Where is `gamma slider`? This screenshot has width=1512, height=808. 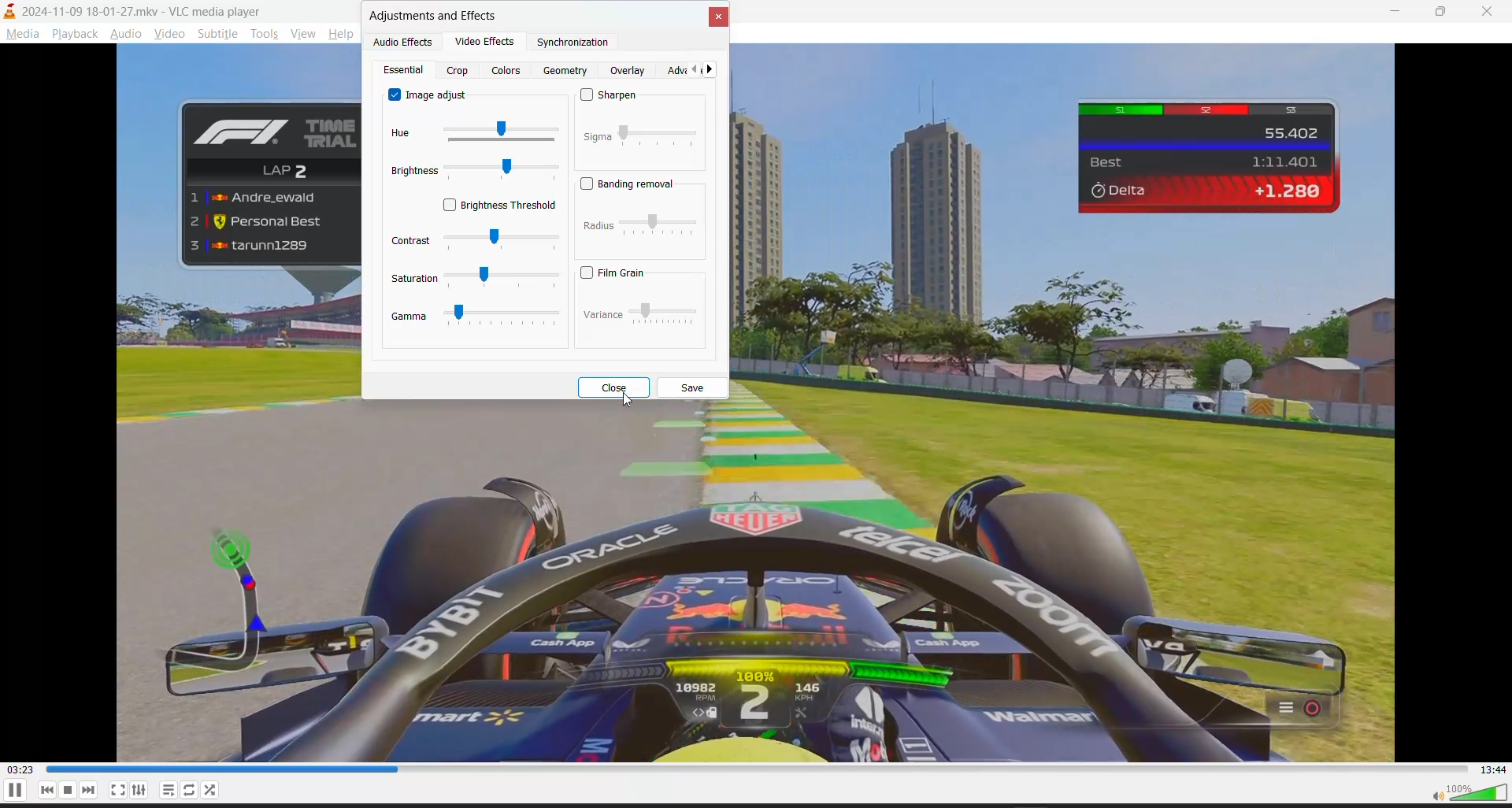
gamma slider is located at coordinates (503, 313).